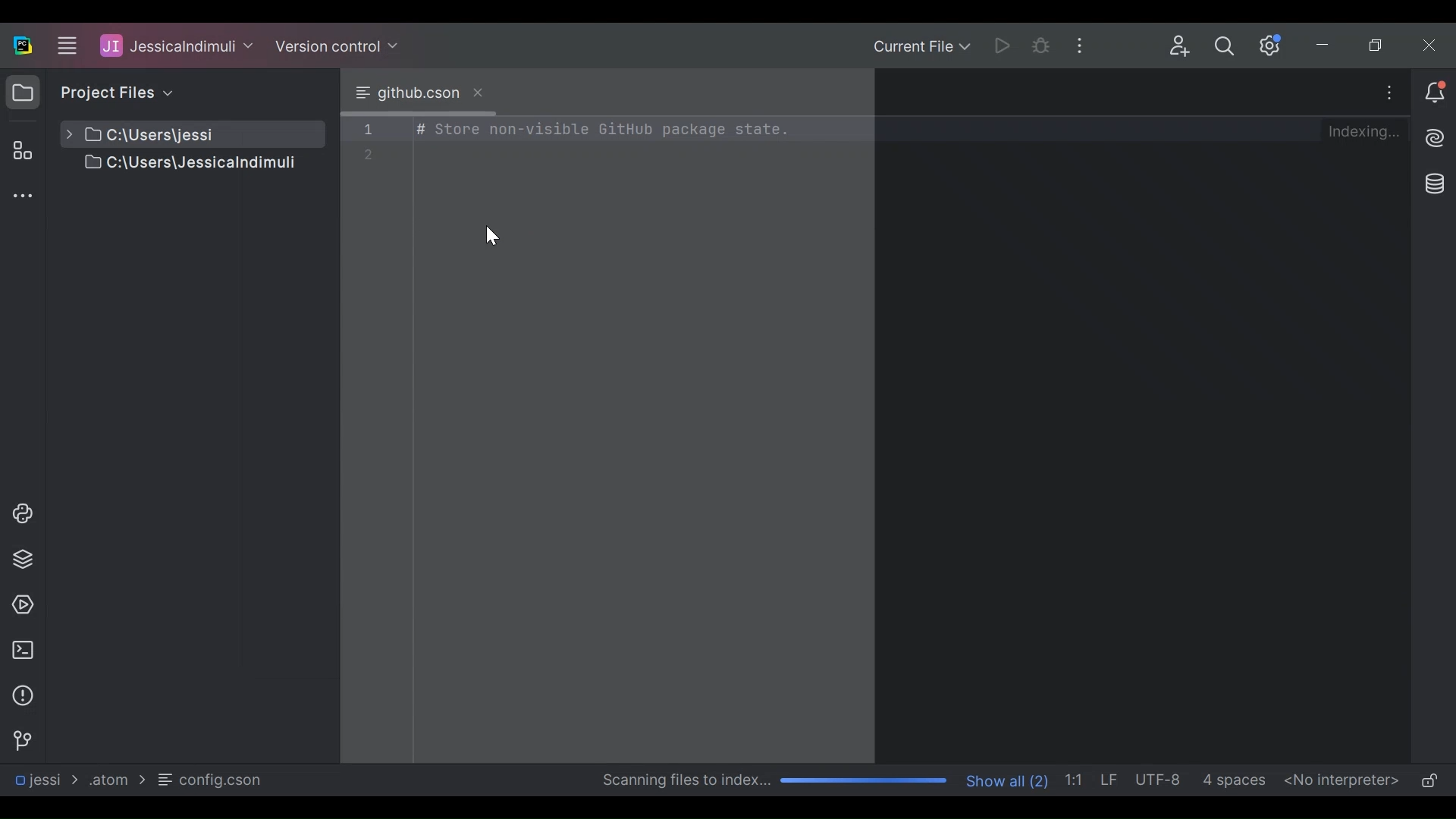 The height and width of the screenshot is (819, 1456). I want to click on Current File, so click(921, 46).